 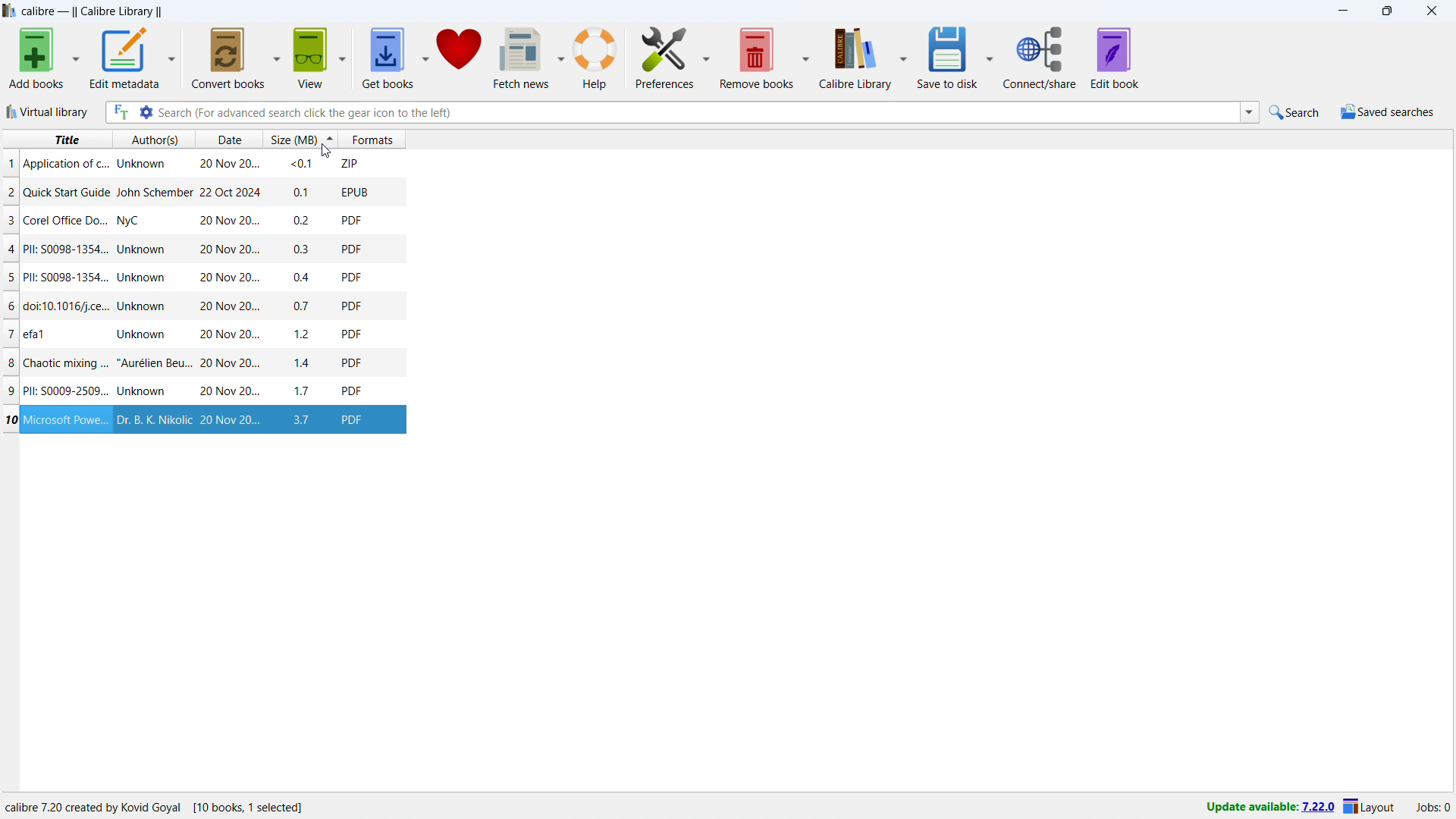 What do you see at coordinates (460, 57) in the screenshot?
I see `donate to calibre` at bounding box center [460, 57].